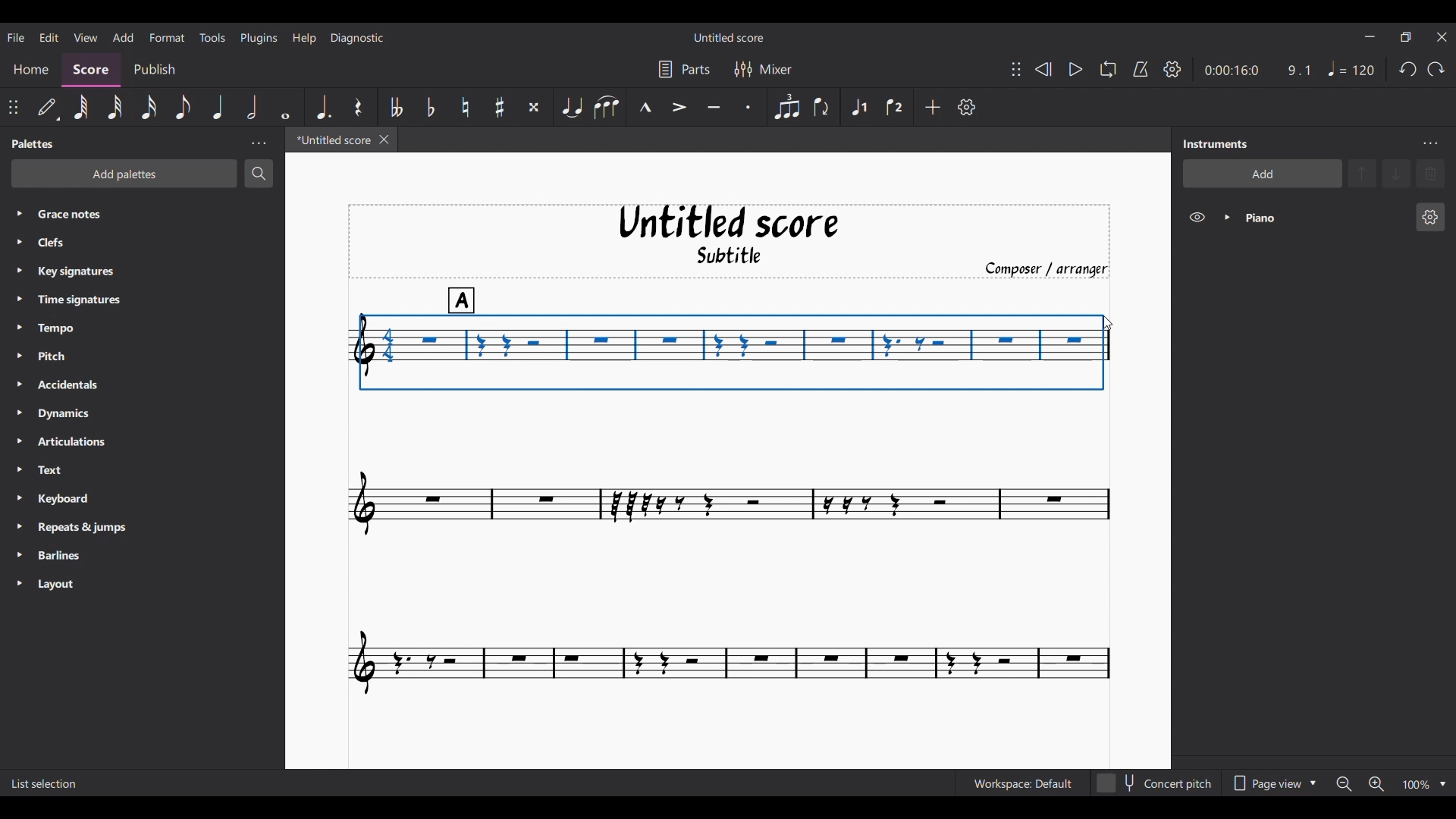 The width and height of the screenshot is (1456, 819). What do you see at coordinates (153, 212) in the screenshot?
I see `Grace notes` at bounding box center [153, 212].